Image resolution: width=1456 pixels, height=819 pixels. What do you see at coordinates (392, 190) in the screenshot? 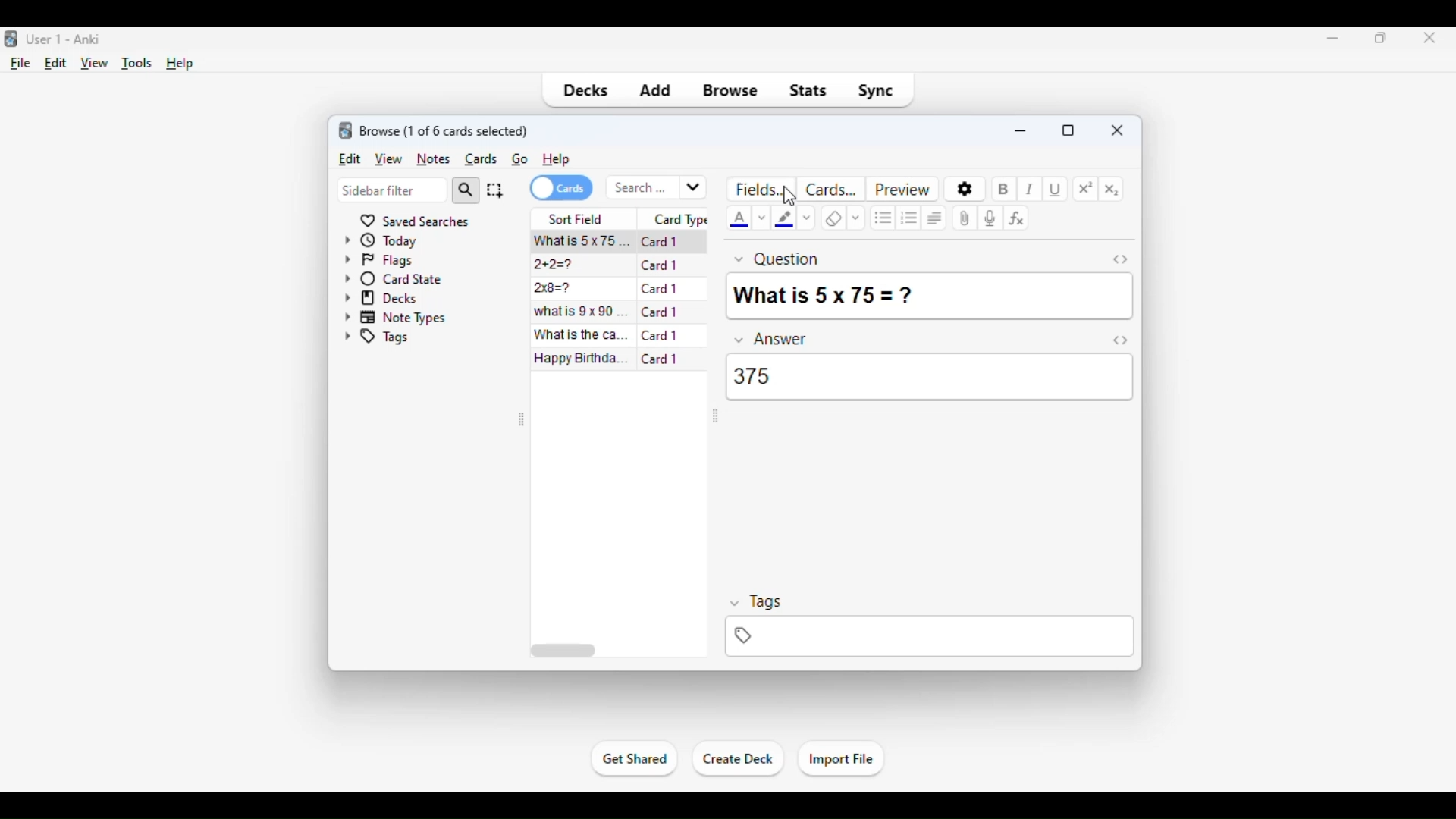
I see `sidebar filter` at bounding box center [392, 190].